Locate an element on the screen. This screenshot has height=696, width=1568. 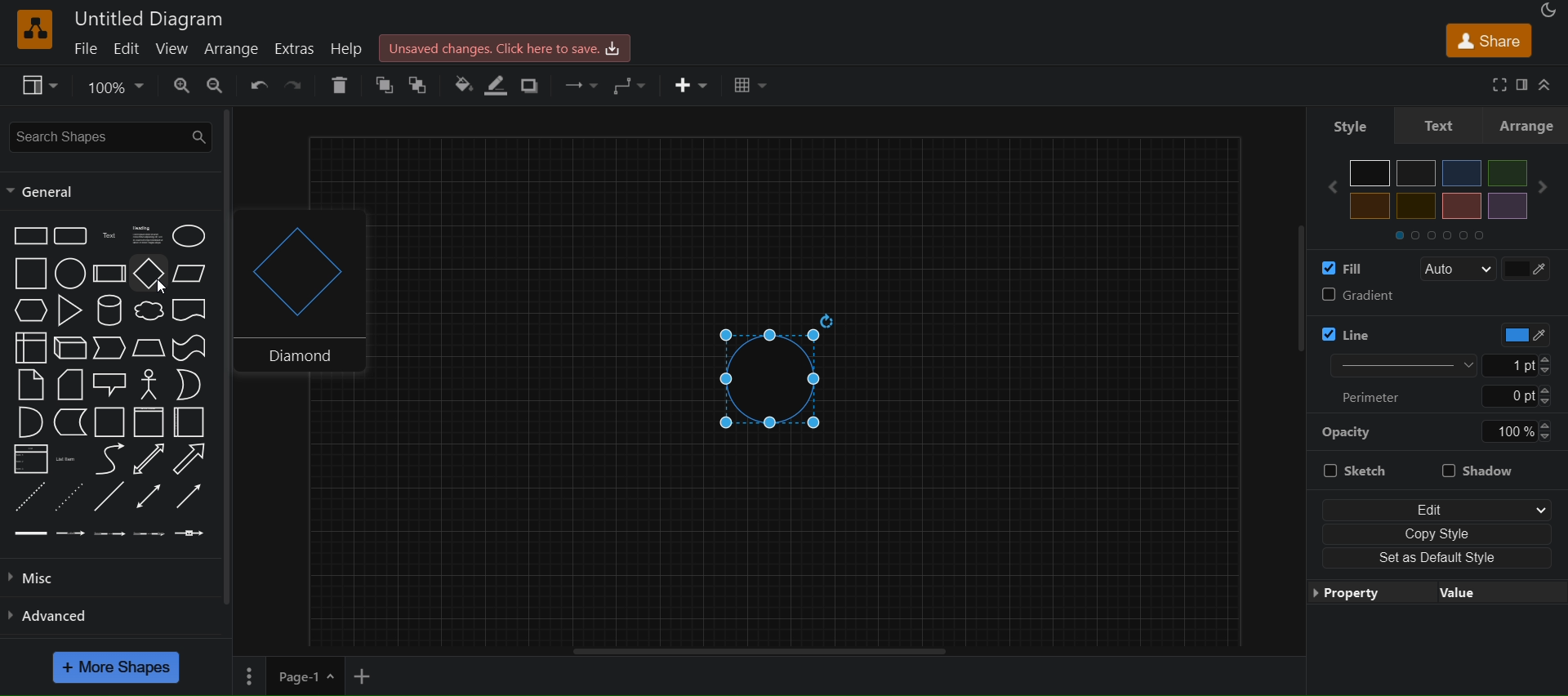
process is located at coordinates (109, 274).